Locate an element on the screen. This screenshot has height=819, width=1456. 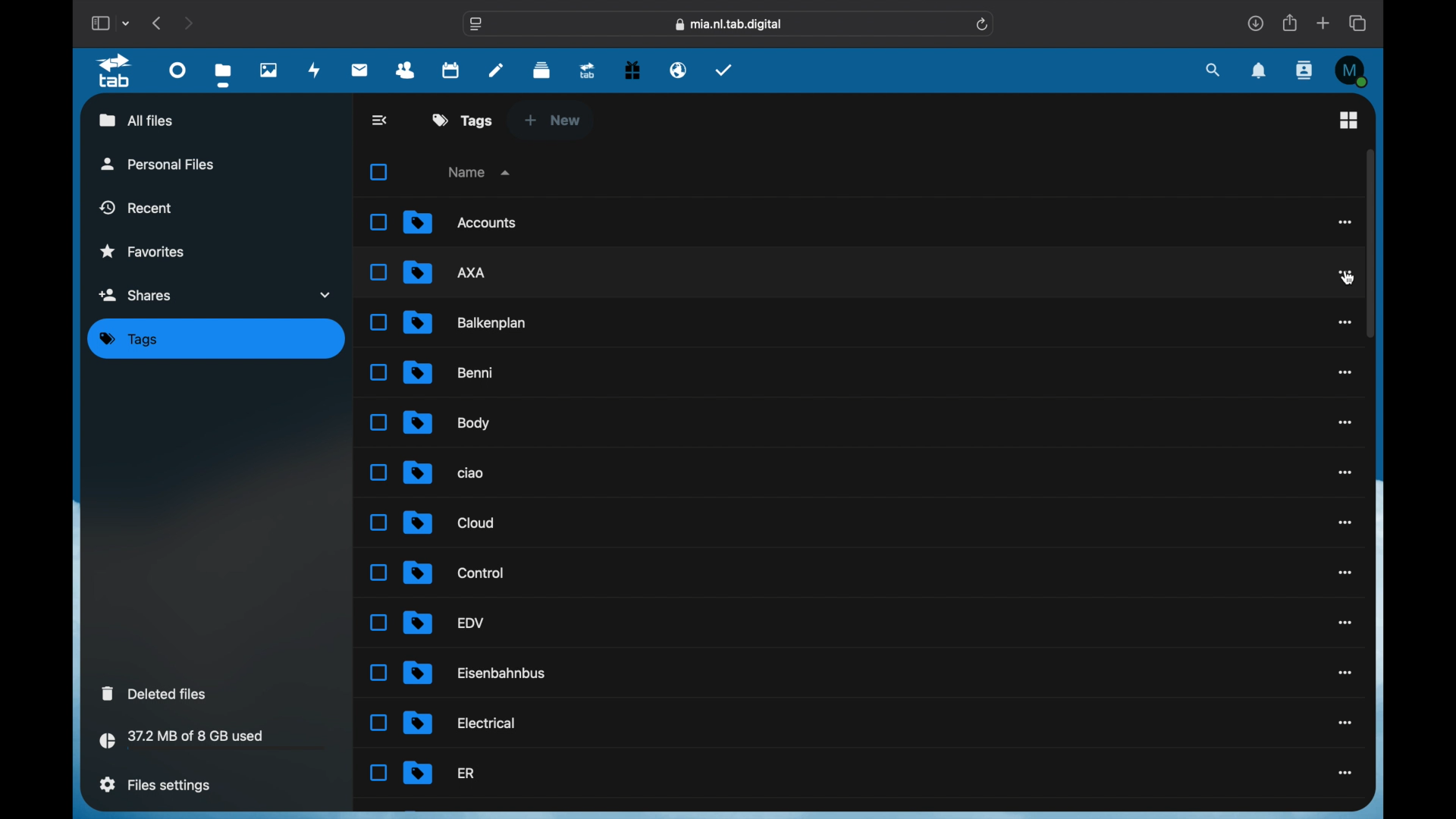
mail is located at coordinates (360, 69).